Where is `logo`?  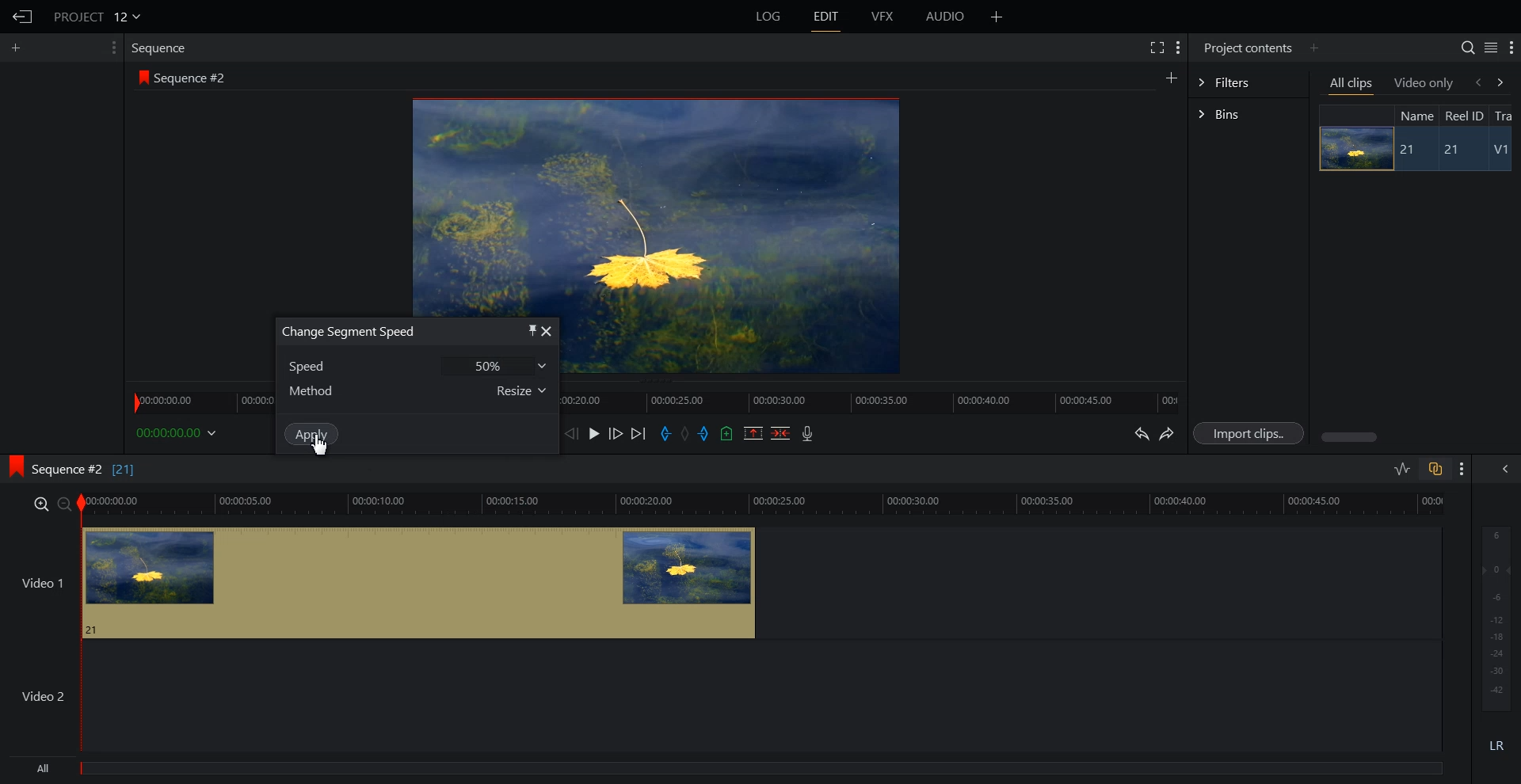
logo is located at coordinates (11, 464).